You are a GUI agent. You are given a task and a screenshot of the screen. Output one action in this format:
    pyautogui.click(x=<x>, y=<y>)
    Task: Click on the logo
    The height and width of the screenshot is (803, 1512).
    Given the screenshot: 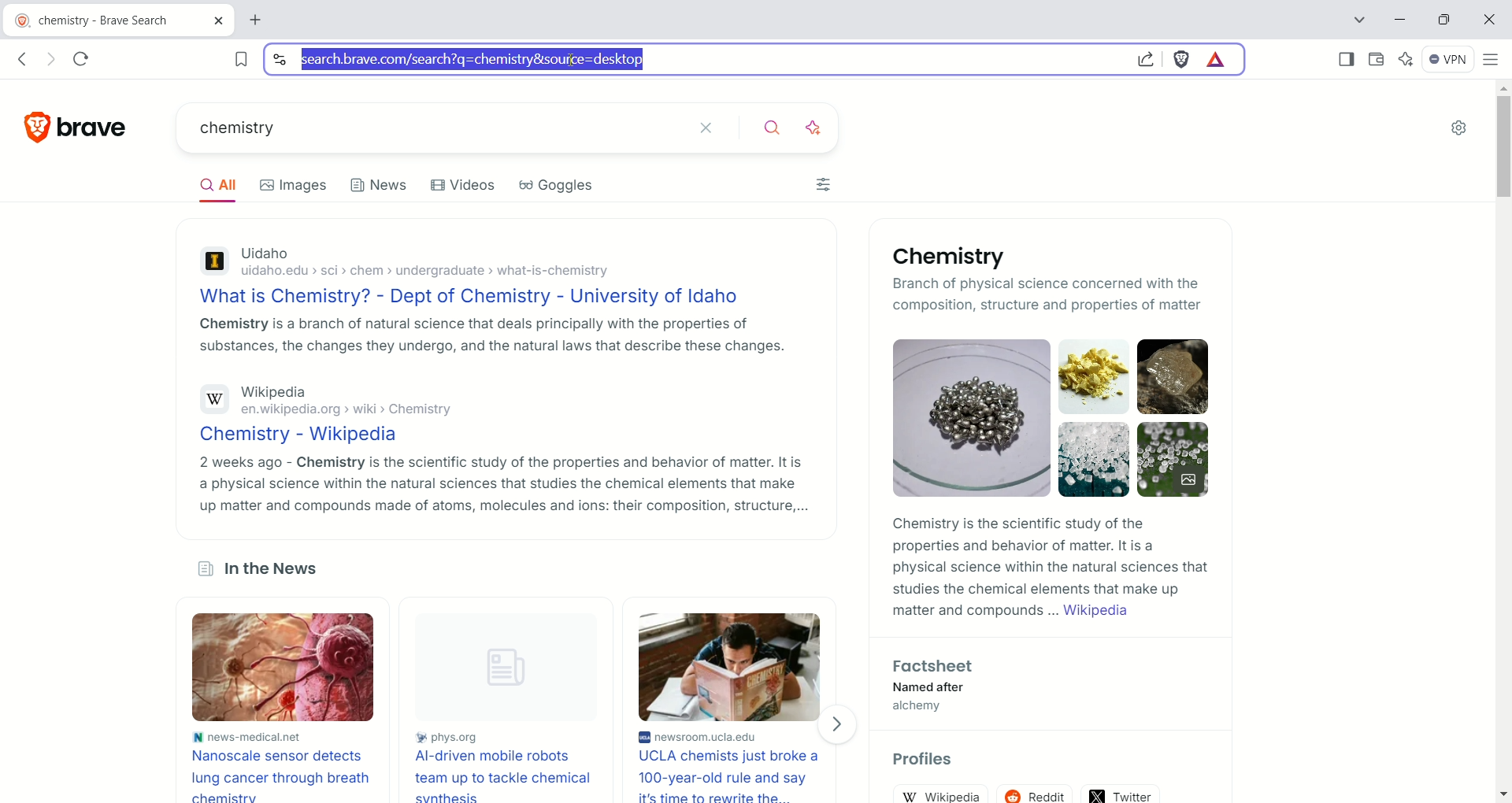 What is the action you would take?
    pyautogui.click(x=29, y=127)
    